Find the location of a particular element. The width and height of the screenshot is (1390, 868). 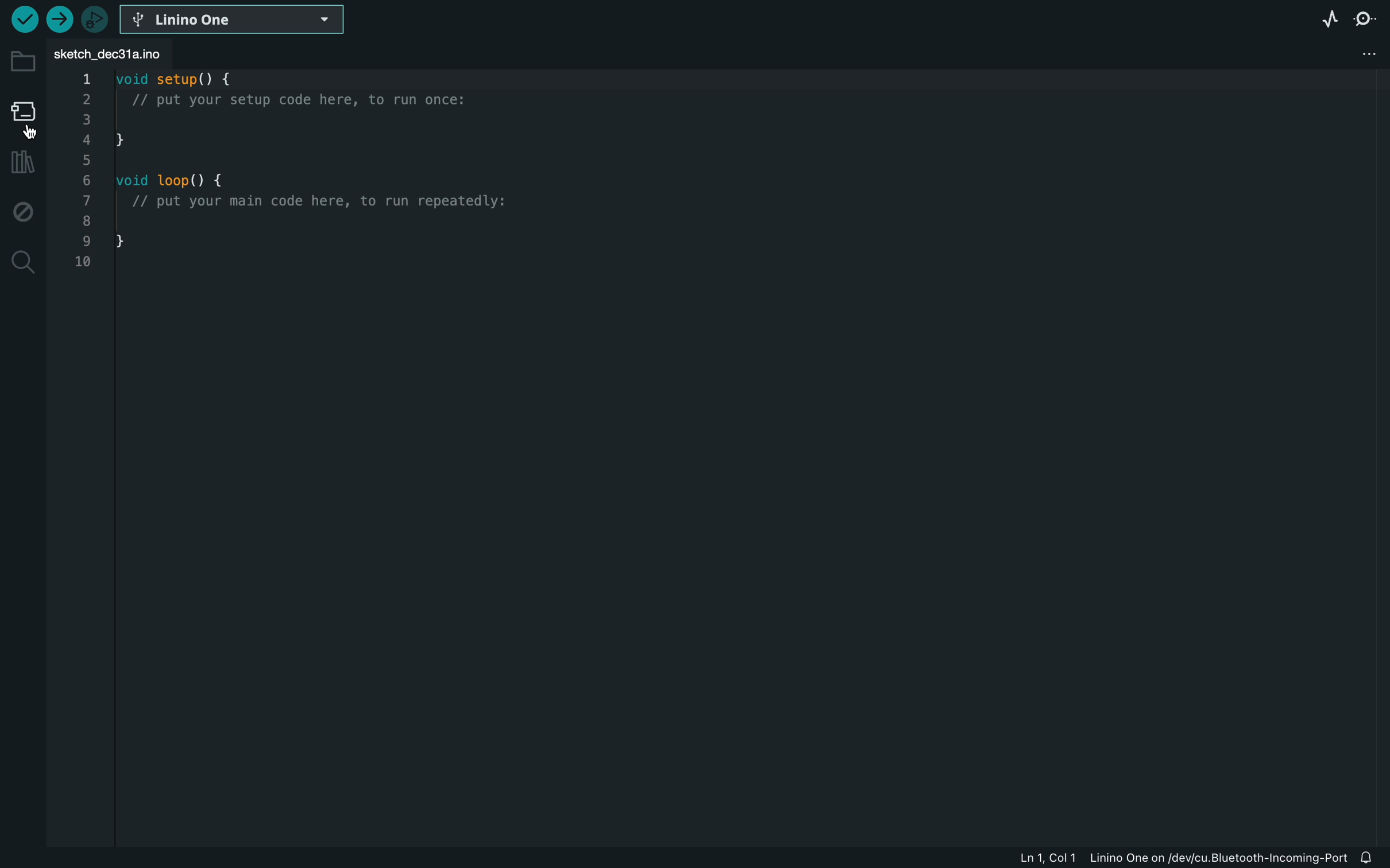

file setting is located at coordinates (1370, 55).